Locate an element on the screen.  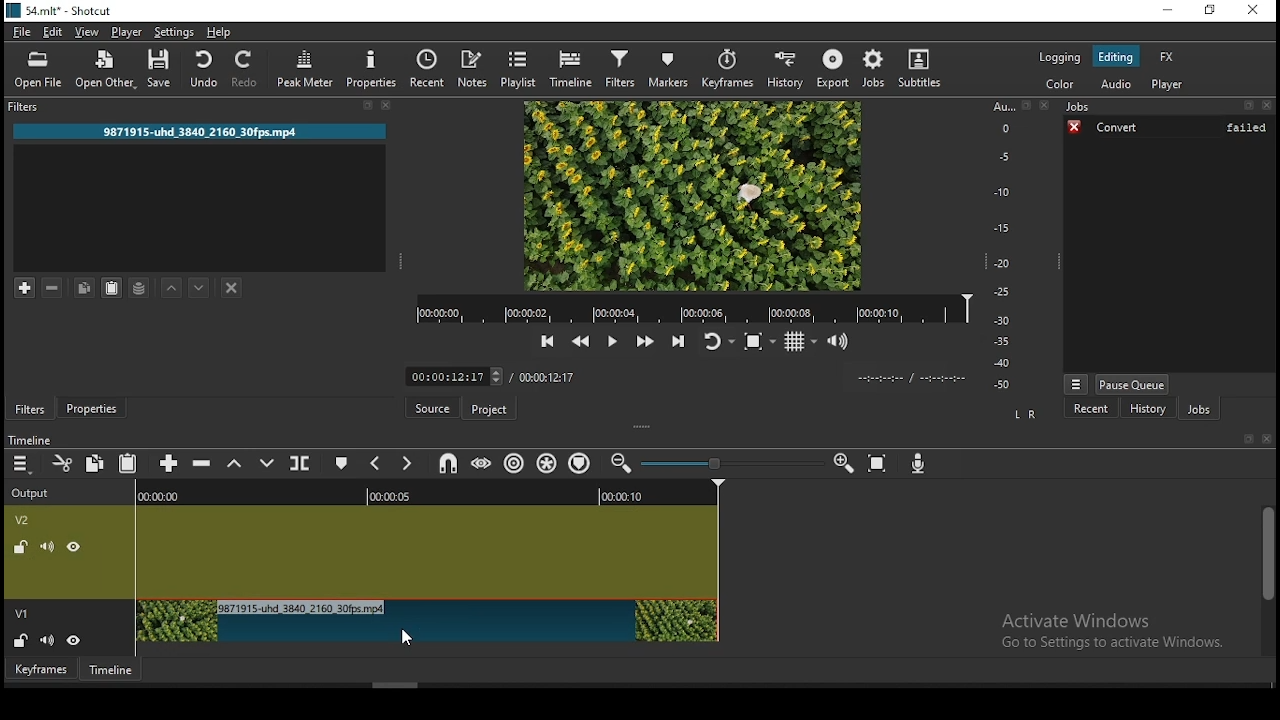
source is located at coordinates (433, 408).